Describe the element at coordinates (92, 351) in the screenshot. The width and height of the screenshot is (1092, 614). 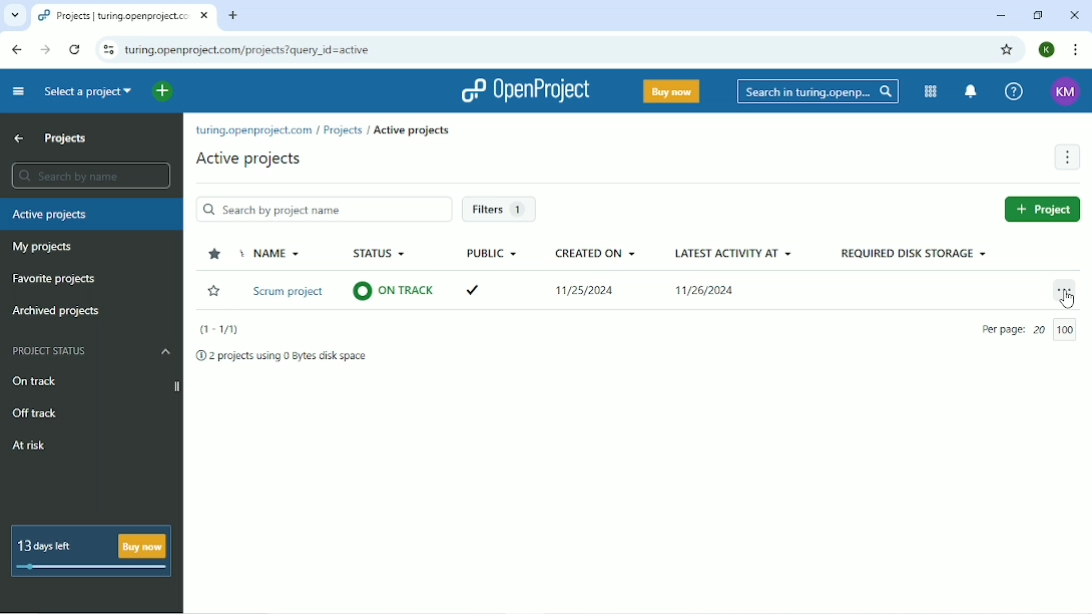
I see `Project status` at that location.